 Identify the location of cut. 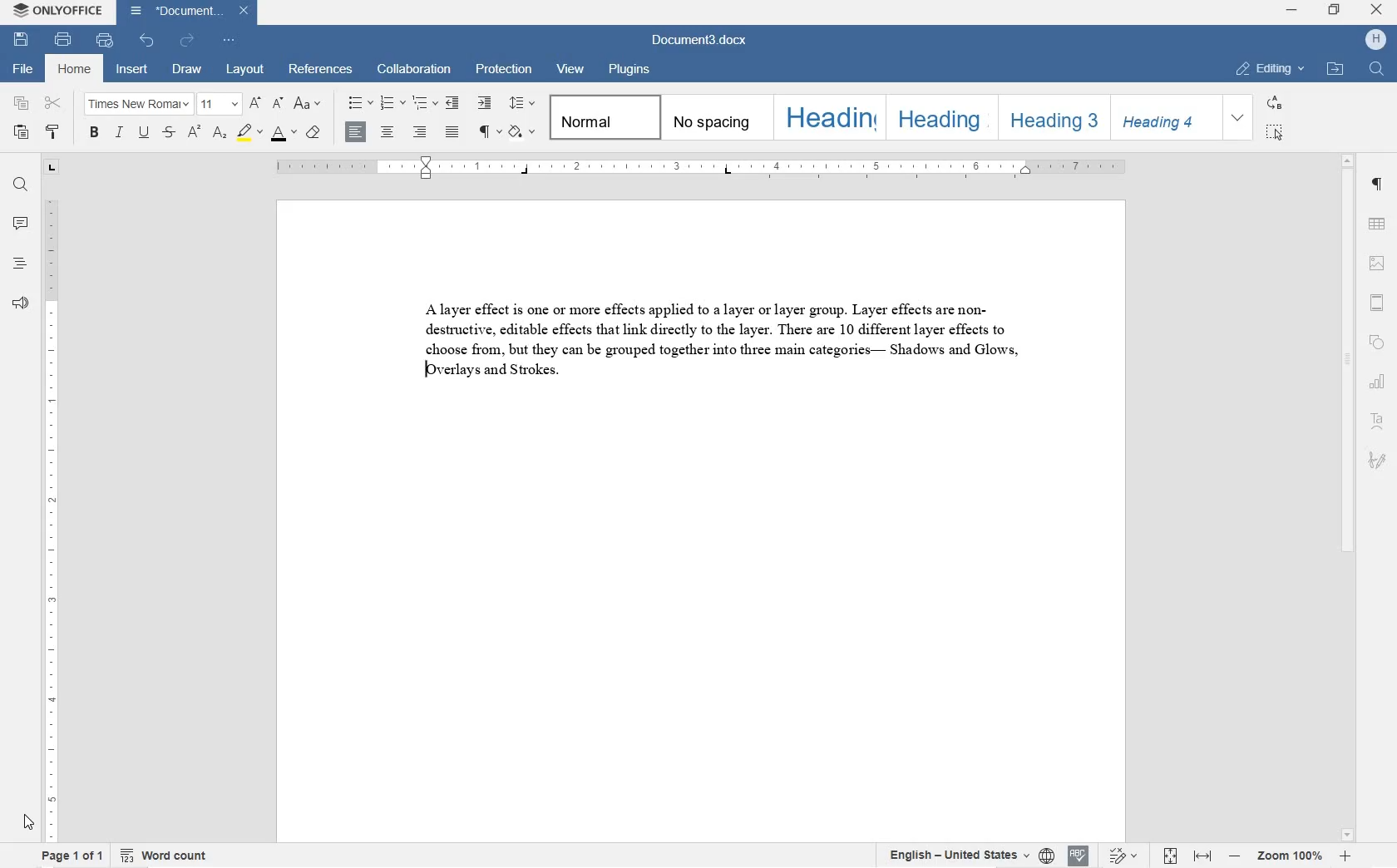
(53, 102).